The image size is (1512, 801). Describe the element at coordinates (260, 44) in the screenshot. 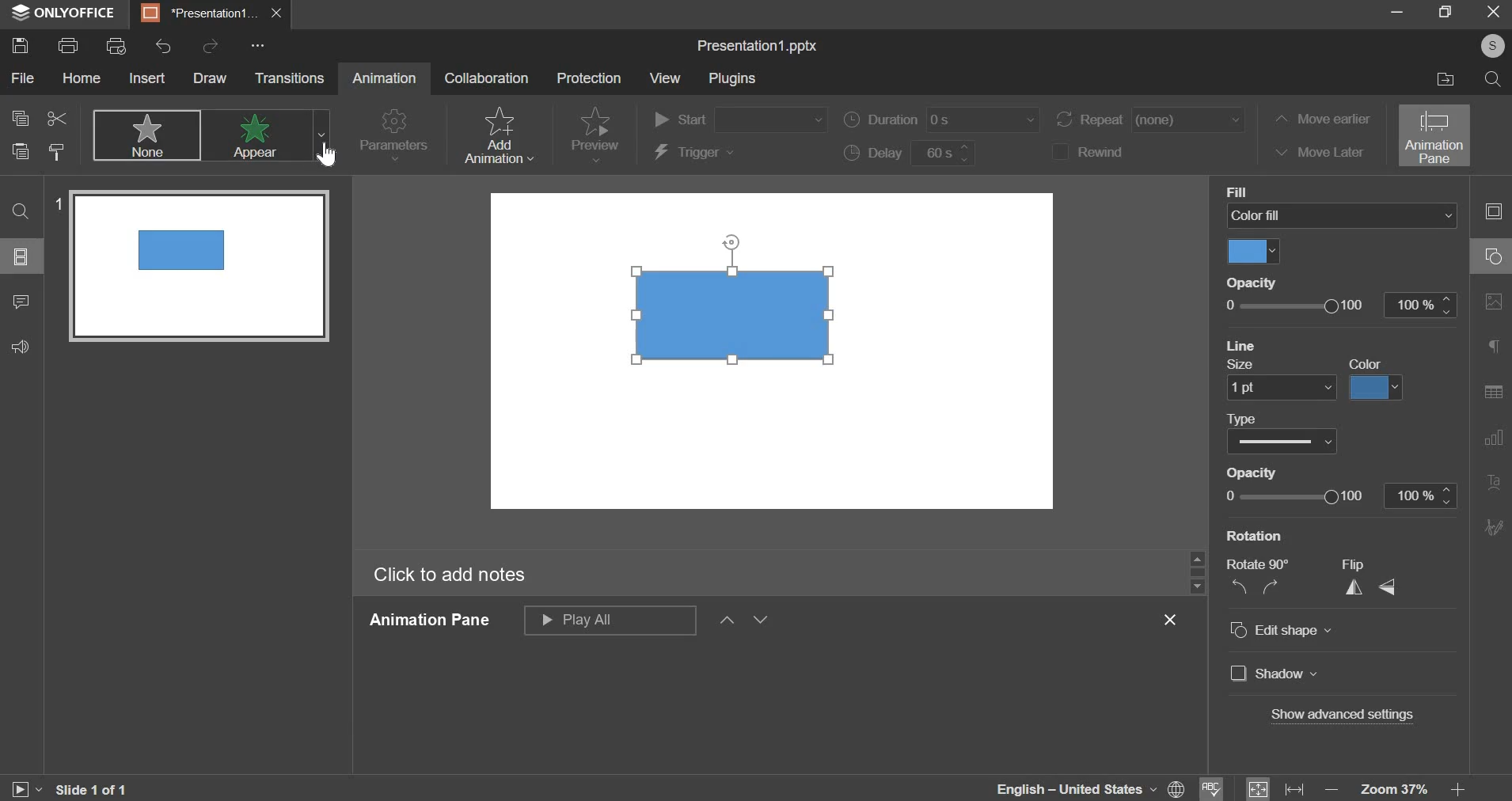

I see `...` at that location.